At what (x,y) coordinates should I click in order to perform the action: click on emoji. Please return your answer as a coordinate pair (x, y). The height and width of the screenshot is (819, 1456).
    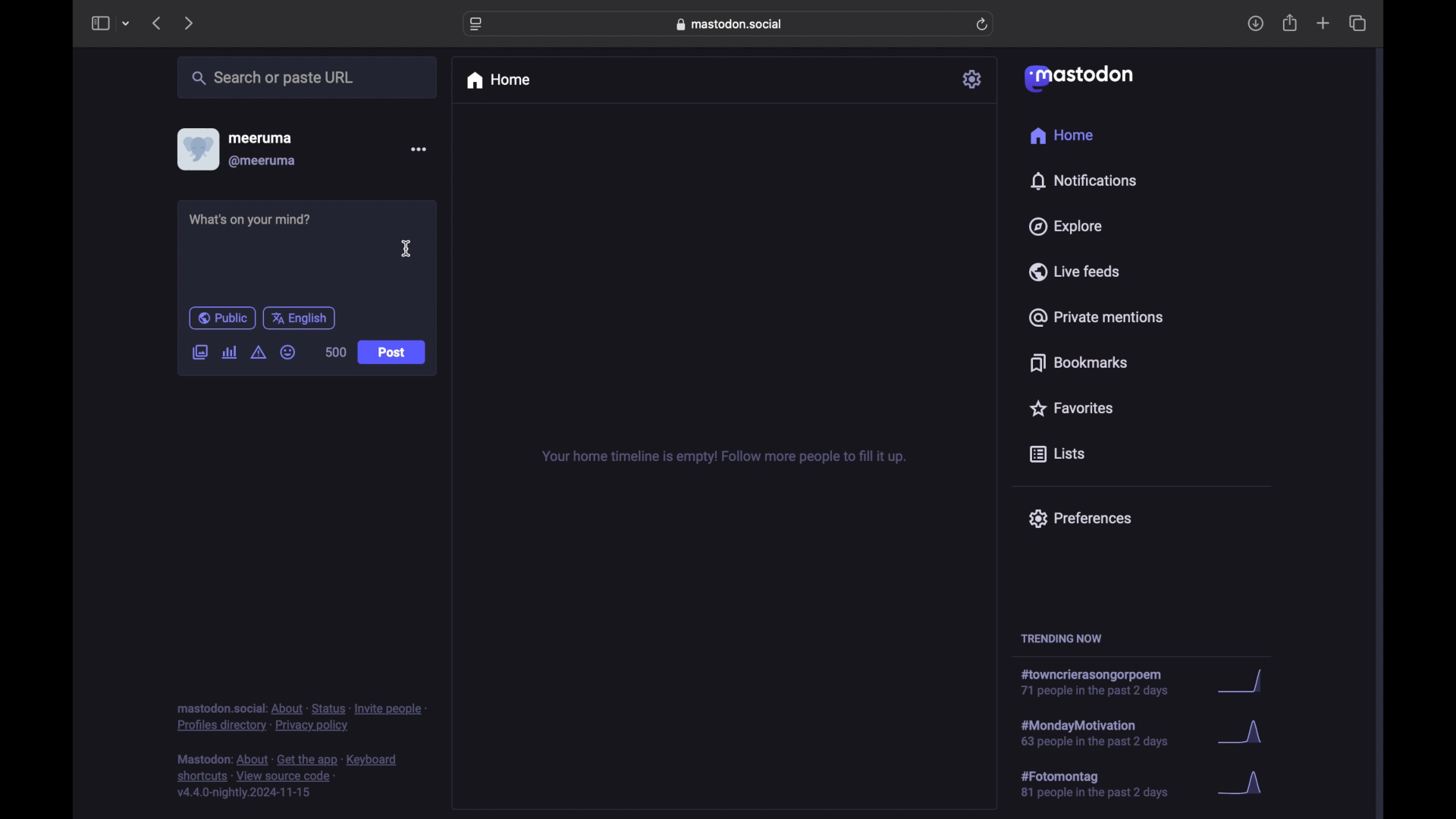
    Looking at the image, I should click on (287, 352).